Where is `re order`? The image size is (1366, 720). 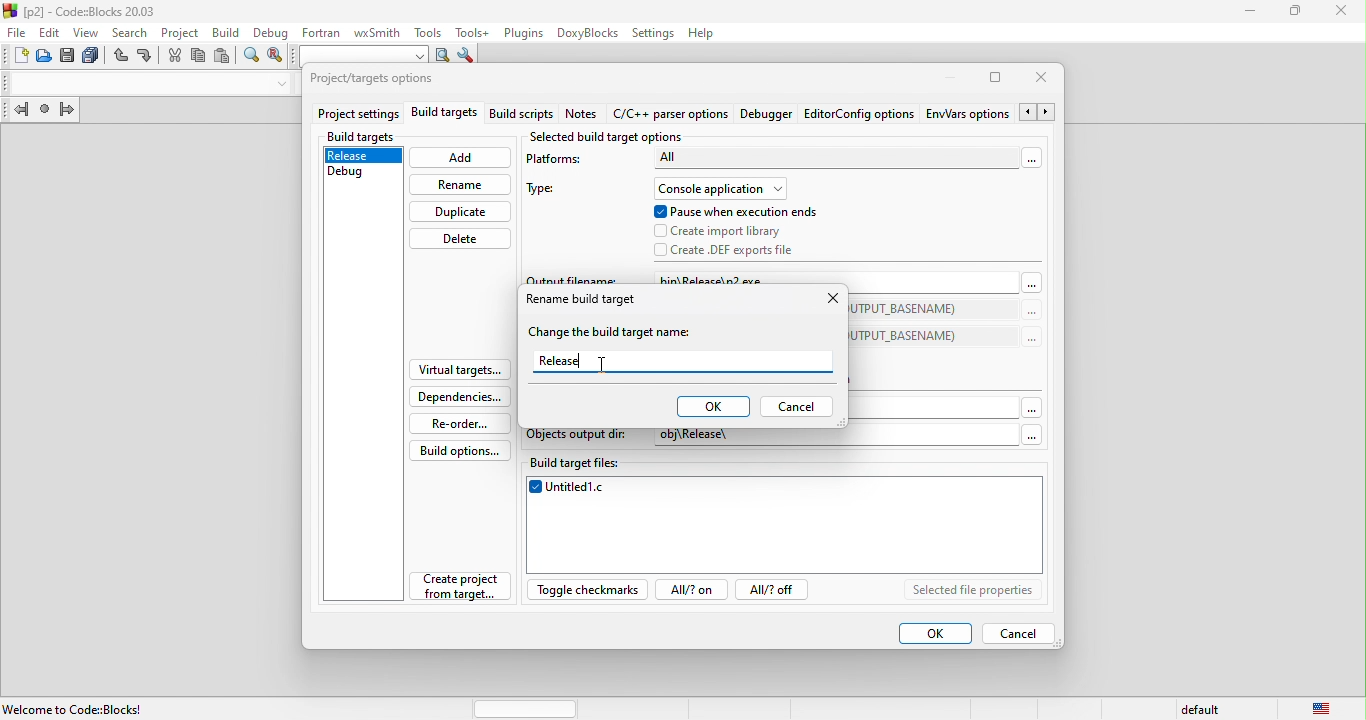 re order is located at coordinates (463, 423).